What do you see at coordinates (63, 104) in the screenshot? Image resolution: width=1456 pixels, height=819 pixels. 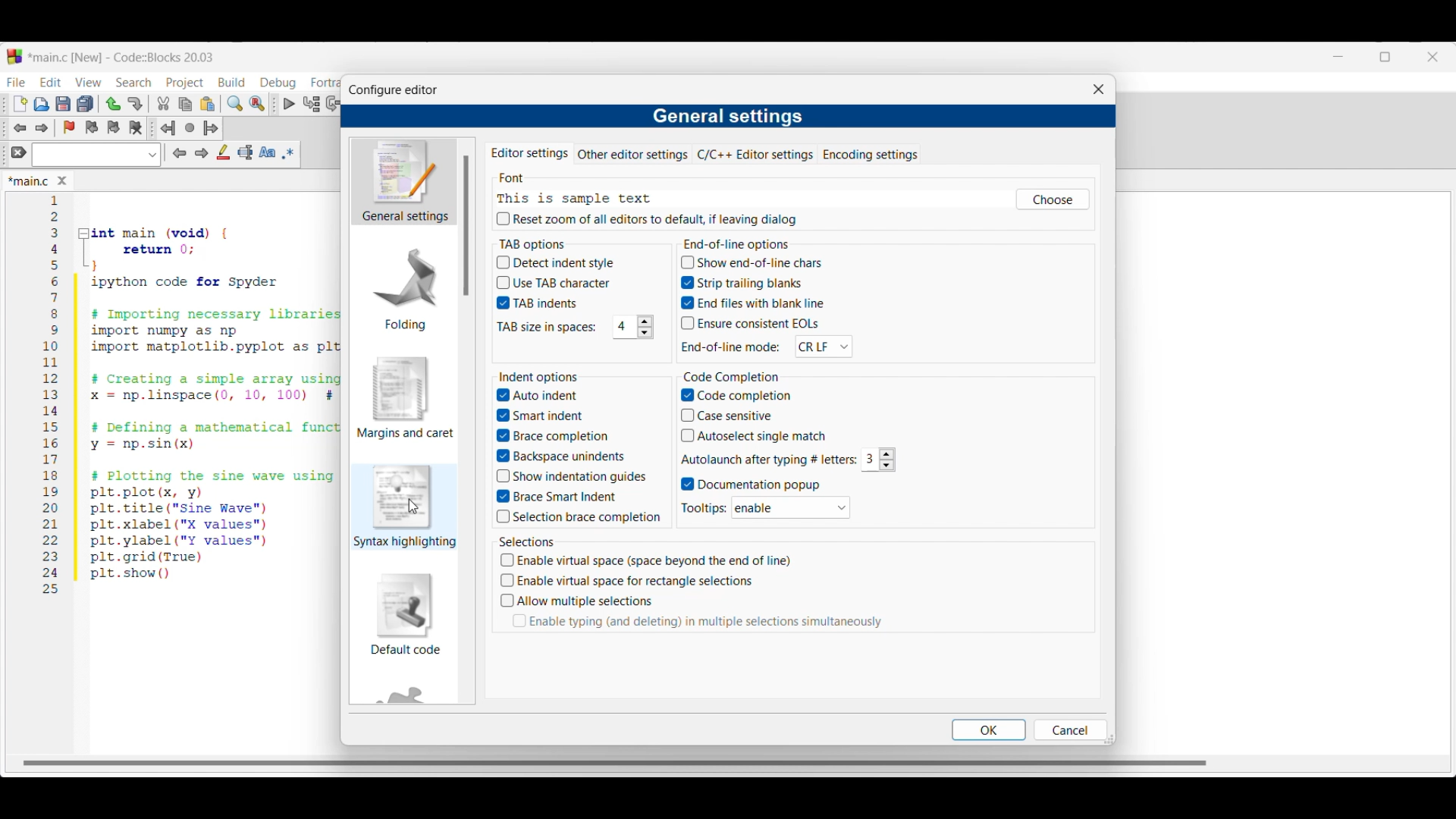 I see `Save` at bounding box center [63, 104].